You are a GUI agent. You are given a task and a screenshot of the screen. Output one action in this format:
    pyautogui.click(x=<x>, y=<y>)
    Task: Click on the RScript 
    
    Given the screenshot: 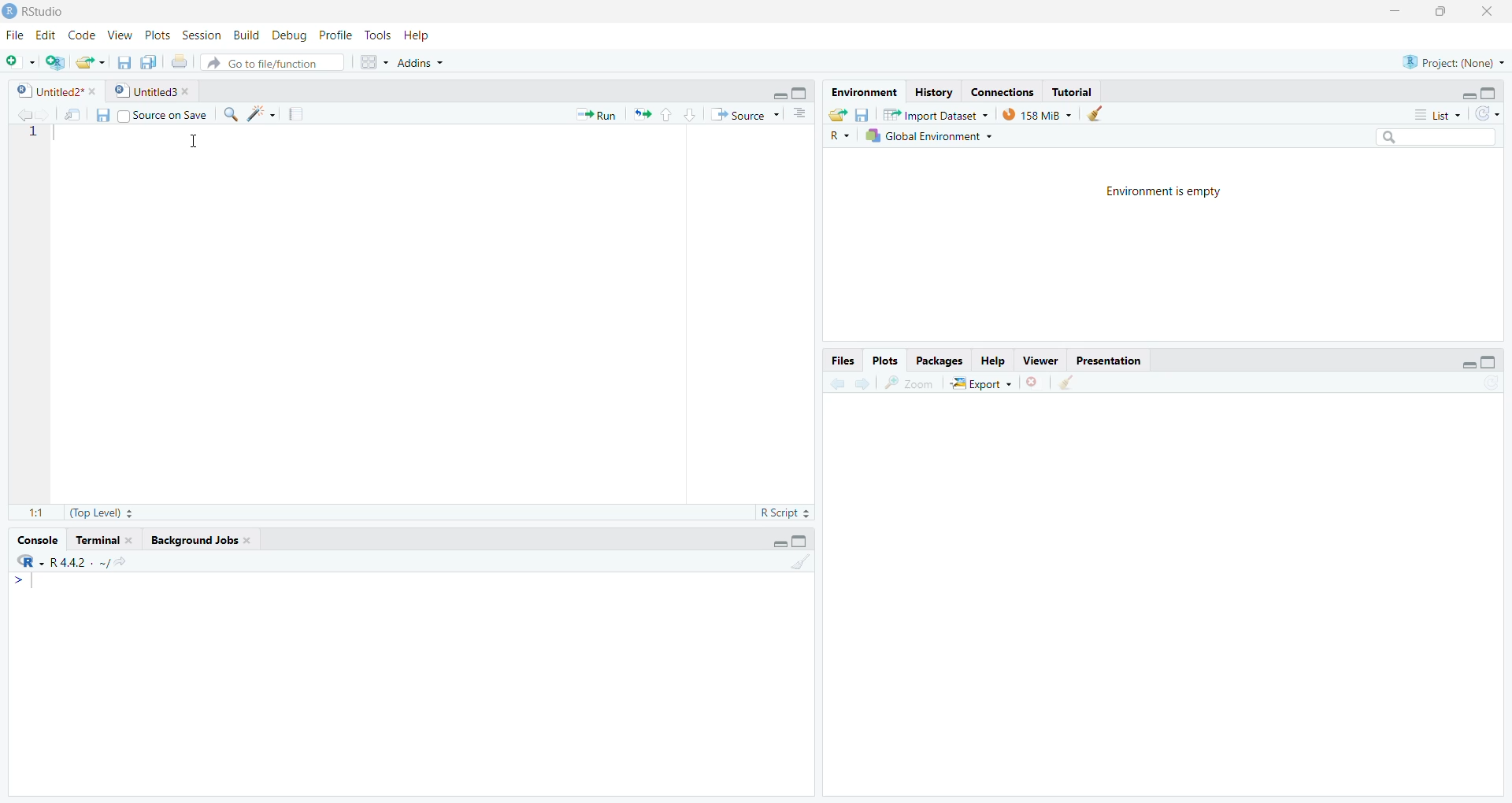 What is the action you would take?
    pyautogui.click(x=783, y=510)
    